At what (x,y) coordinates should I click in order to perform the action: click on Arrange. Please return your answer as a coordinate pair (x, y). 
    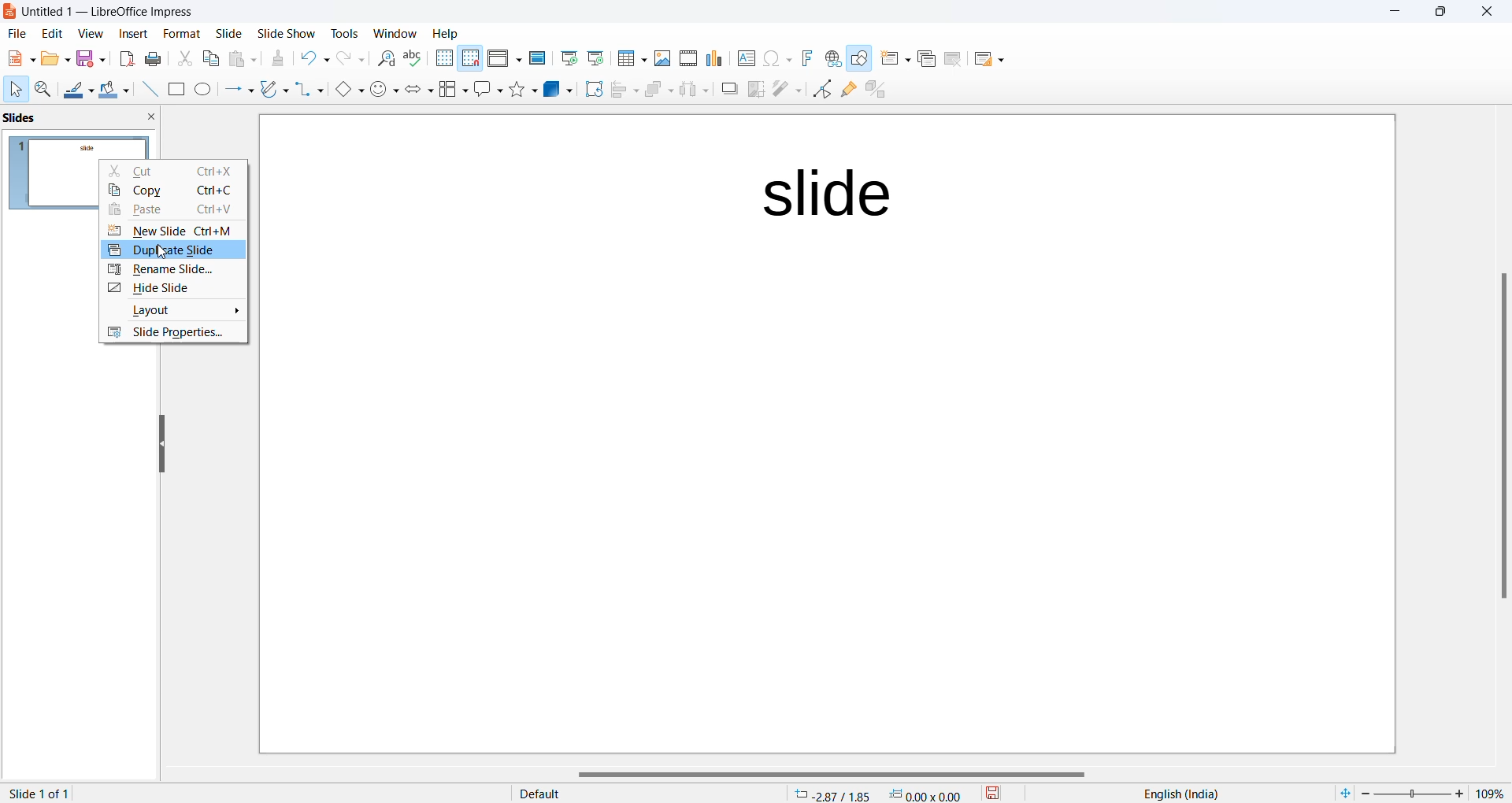
    Looking at the image, I should click on (655, 92).